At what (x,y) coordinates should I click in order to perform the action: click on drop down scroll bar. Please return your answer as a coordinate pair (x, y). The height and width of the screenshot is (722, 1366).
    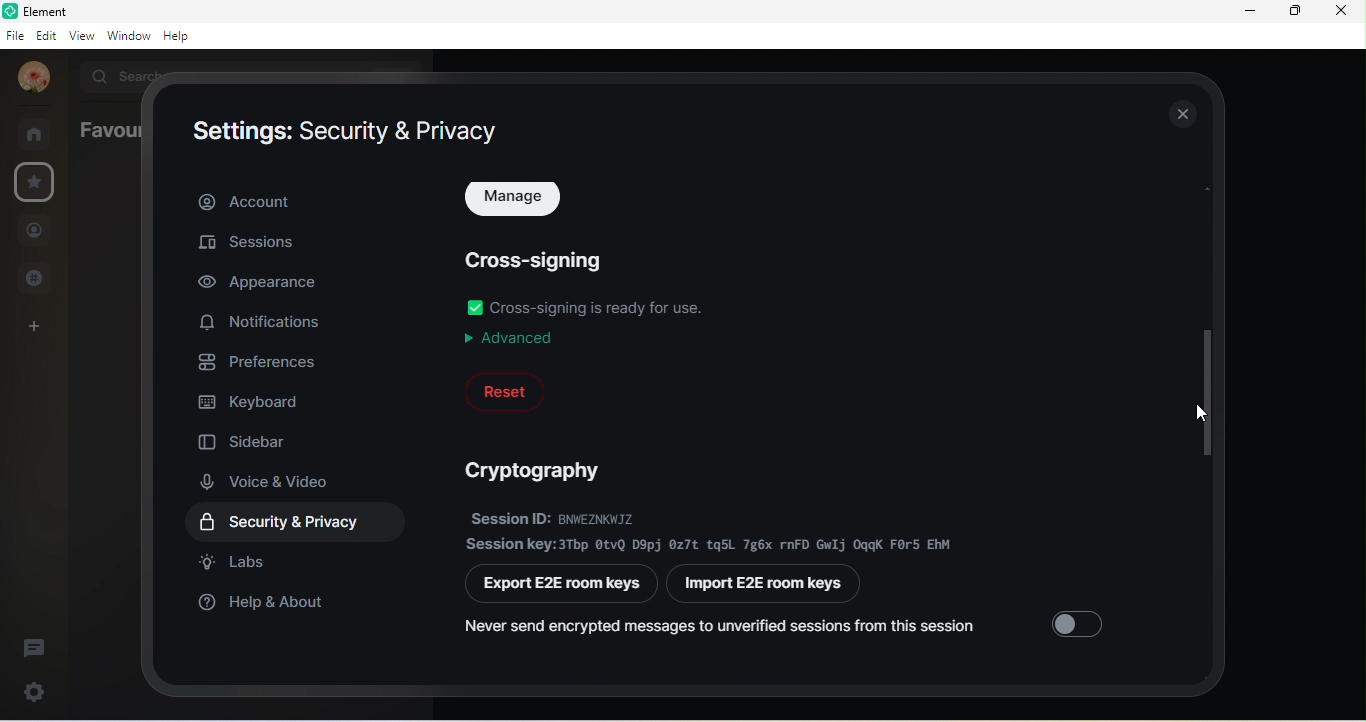
    Looking at the image, I should click on (1204, 390).